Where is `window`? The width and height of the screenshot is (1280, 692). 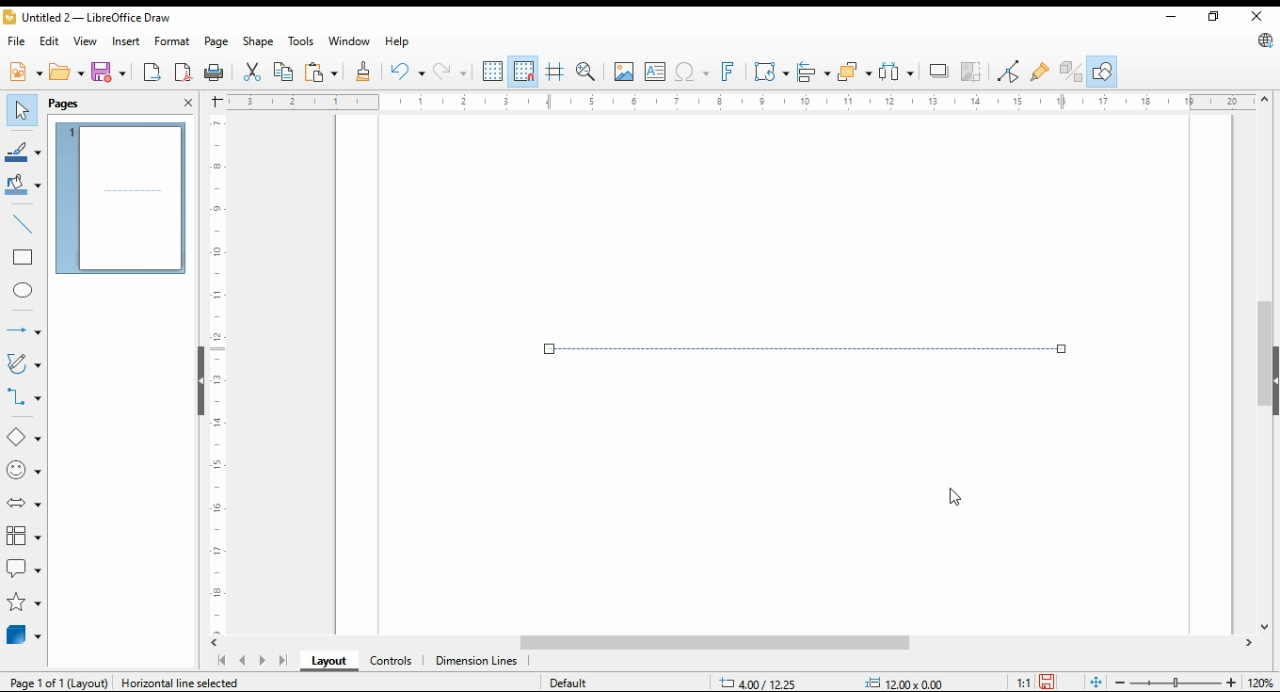
window is located at coordinates (348, 41).